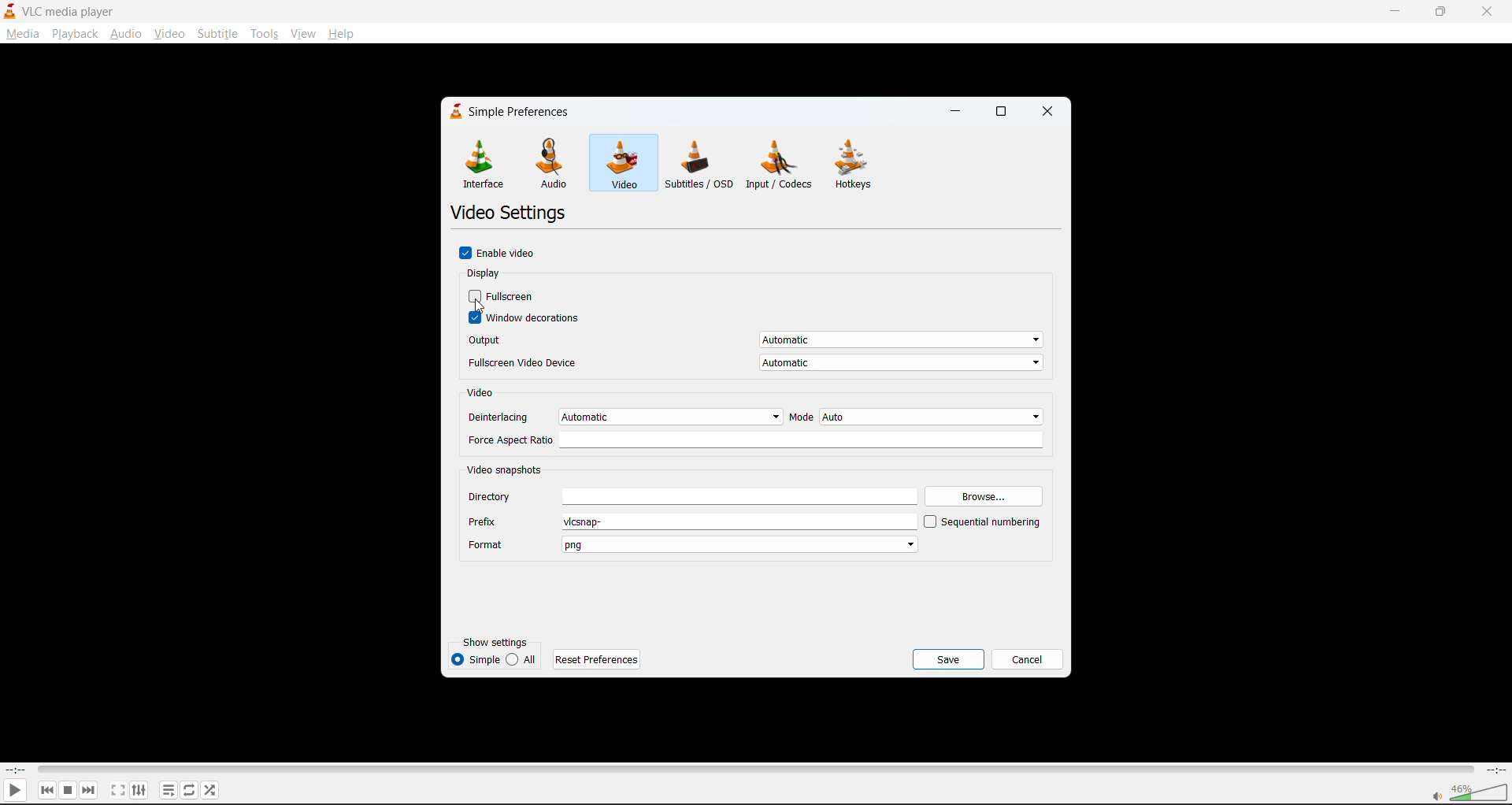 The image size is (1512, 805). I want to click on hotkeys, so click(858, 165).